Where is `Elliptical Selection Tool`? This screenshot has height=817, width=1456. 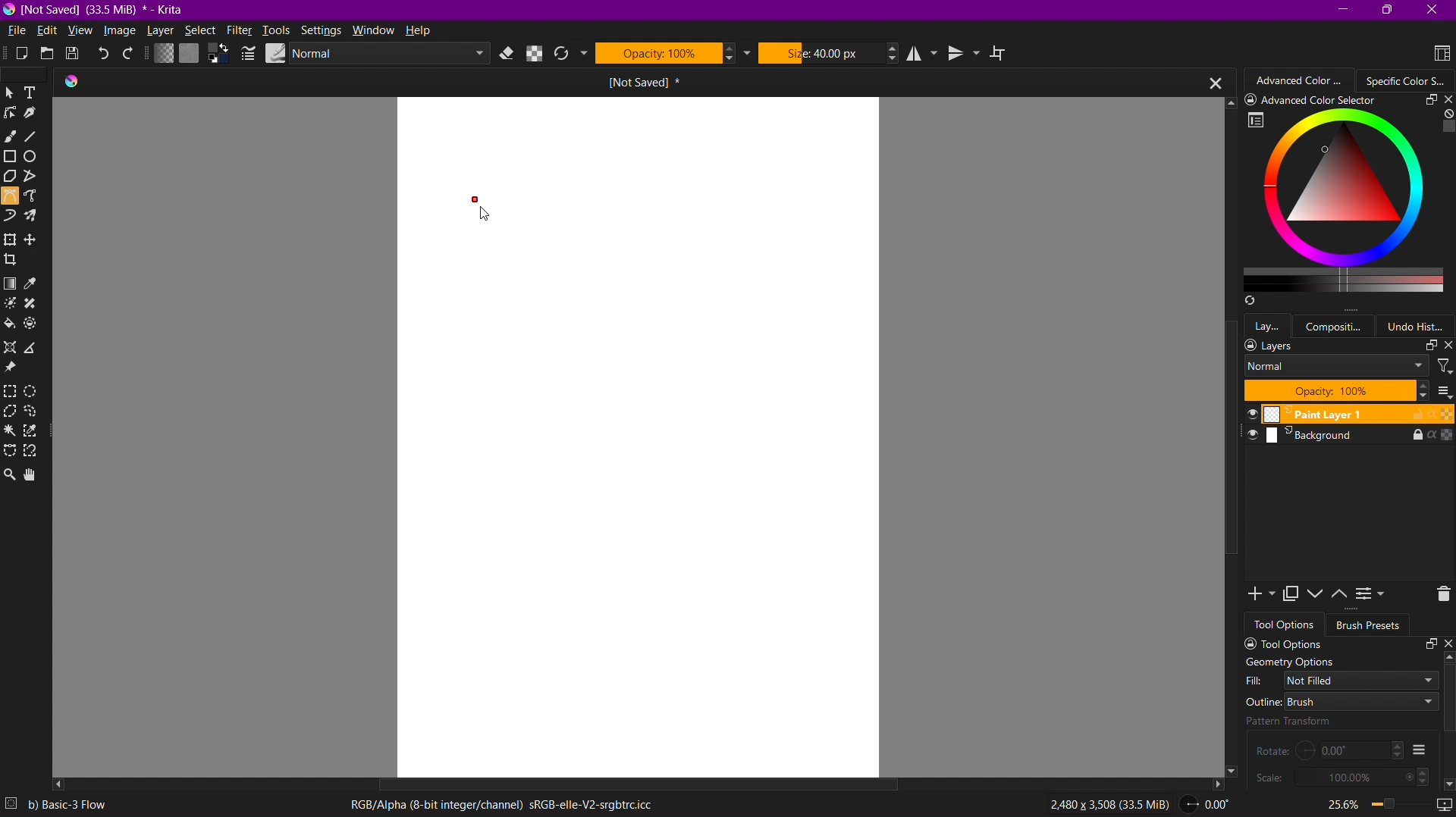
Elliptical Selection Tool is located at coordinates (37, 390).